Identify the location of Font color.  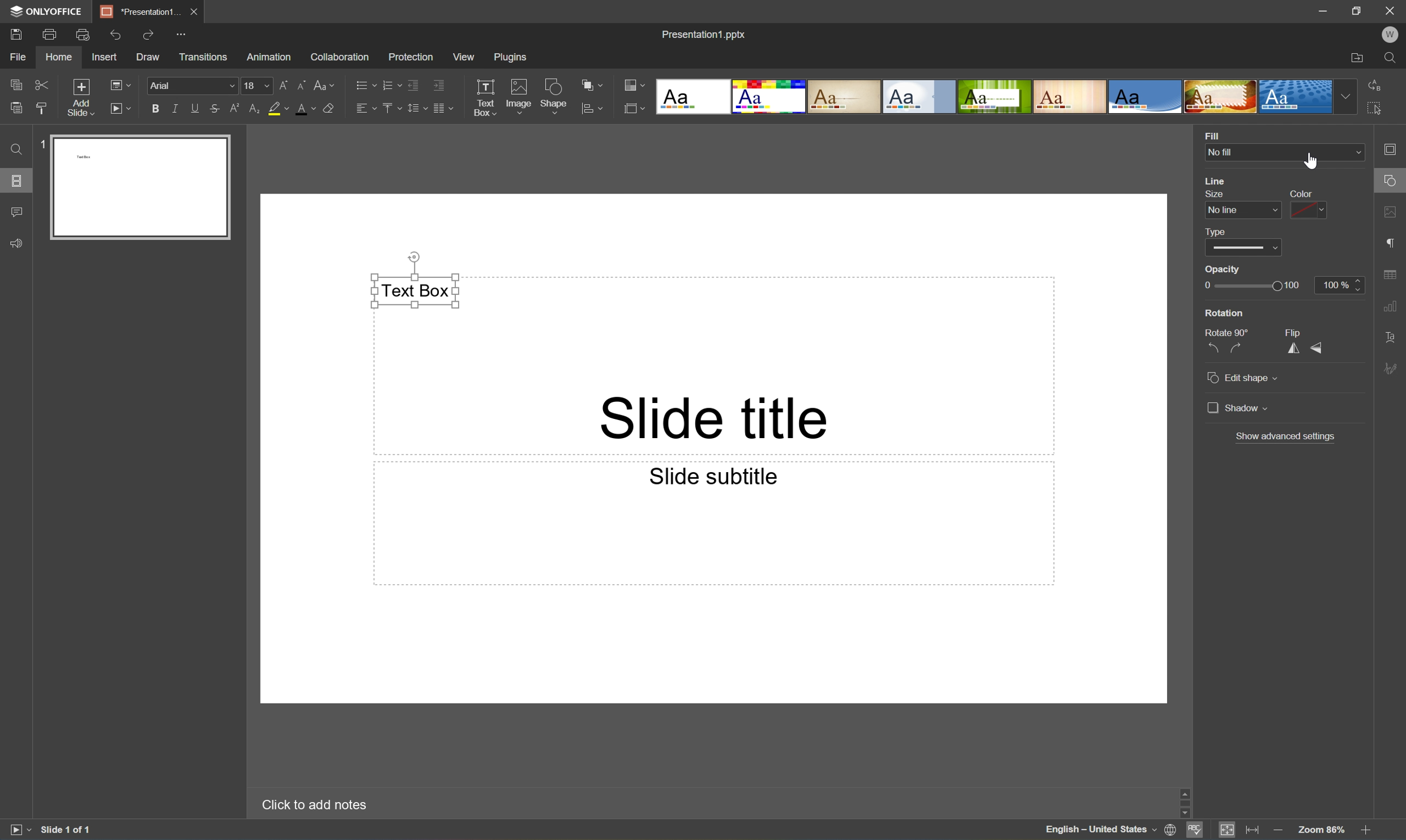
(304, 109).